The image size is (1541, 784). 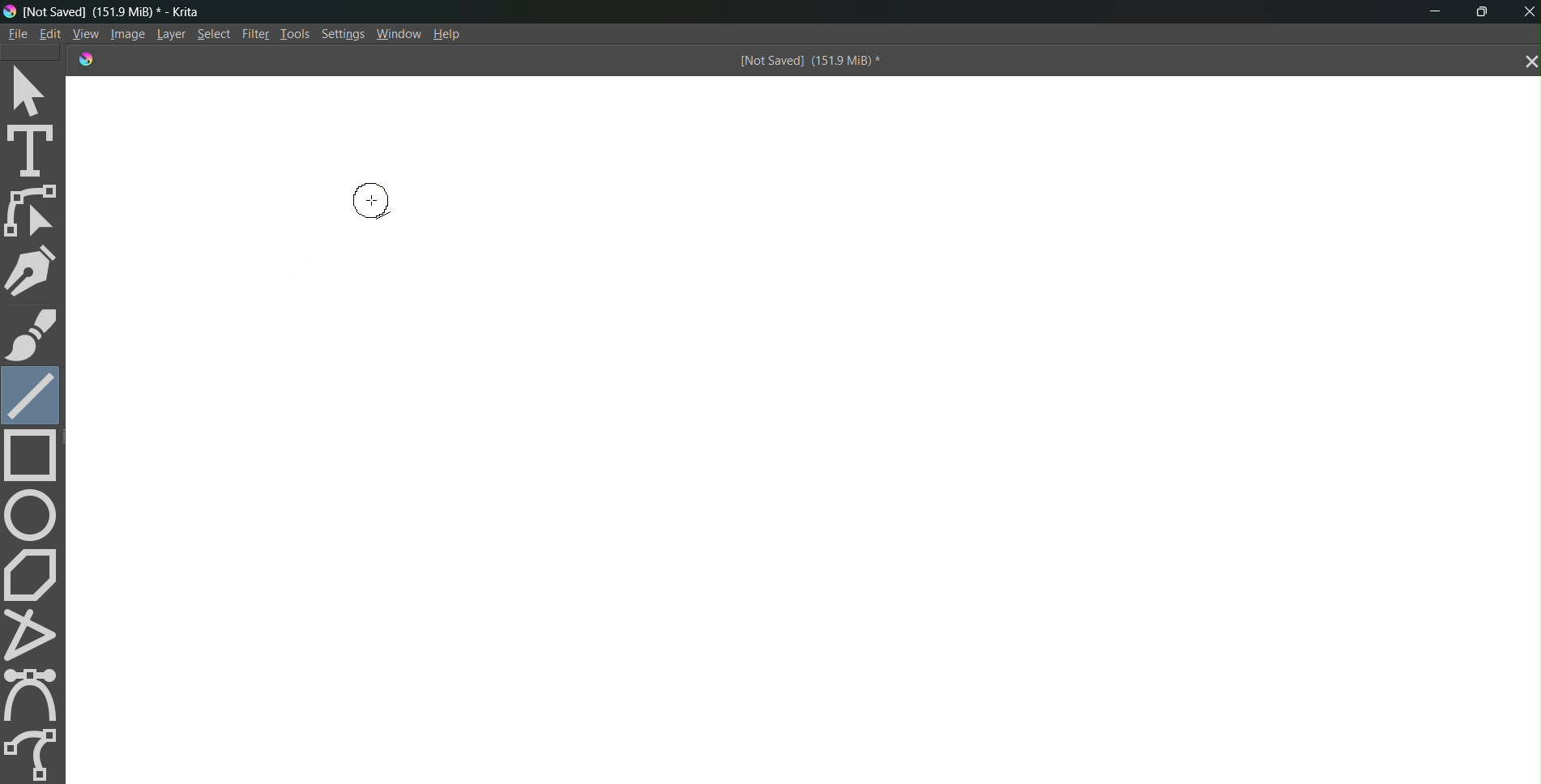 What do you see at coordinates (1429, 13) in the screenshot?
I see `minimize` at bounding box center [1429, 13].